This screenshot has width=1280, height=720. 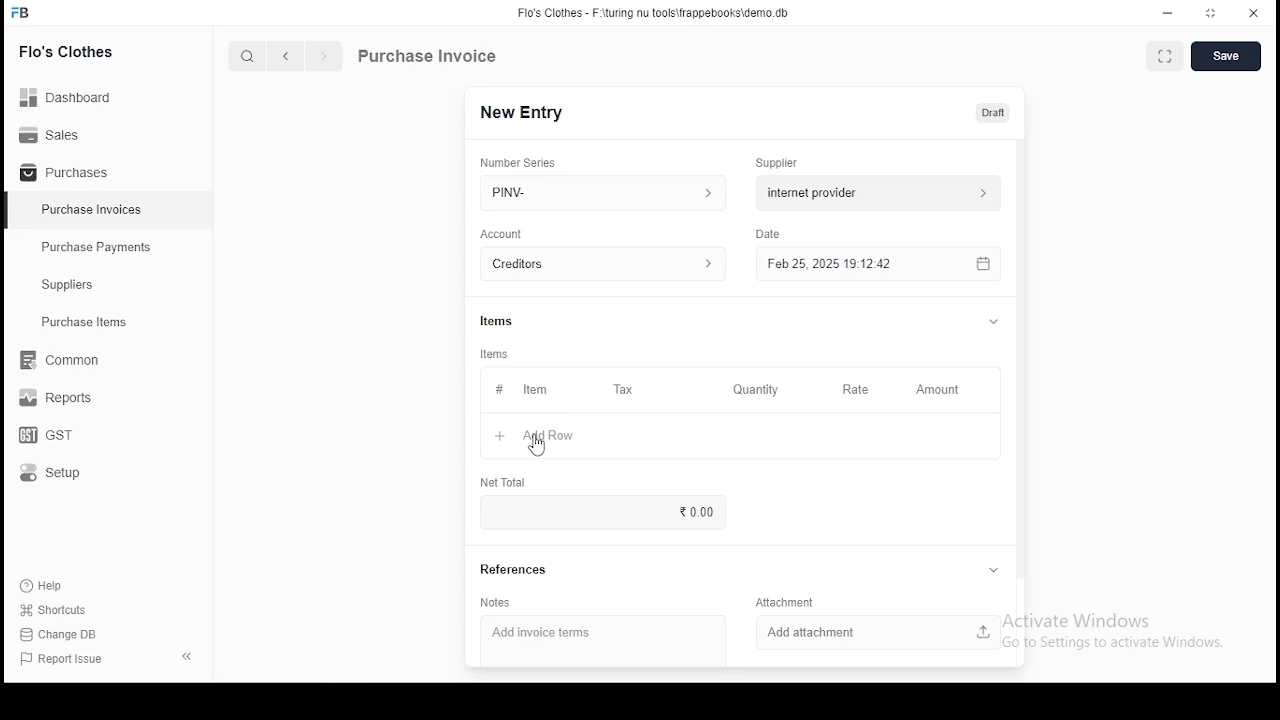 What do you see at coordinates (65, 173) in the screenshot?
I see `Purchases` at bounding box center [65, 173].